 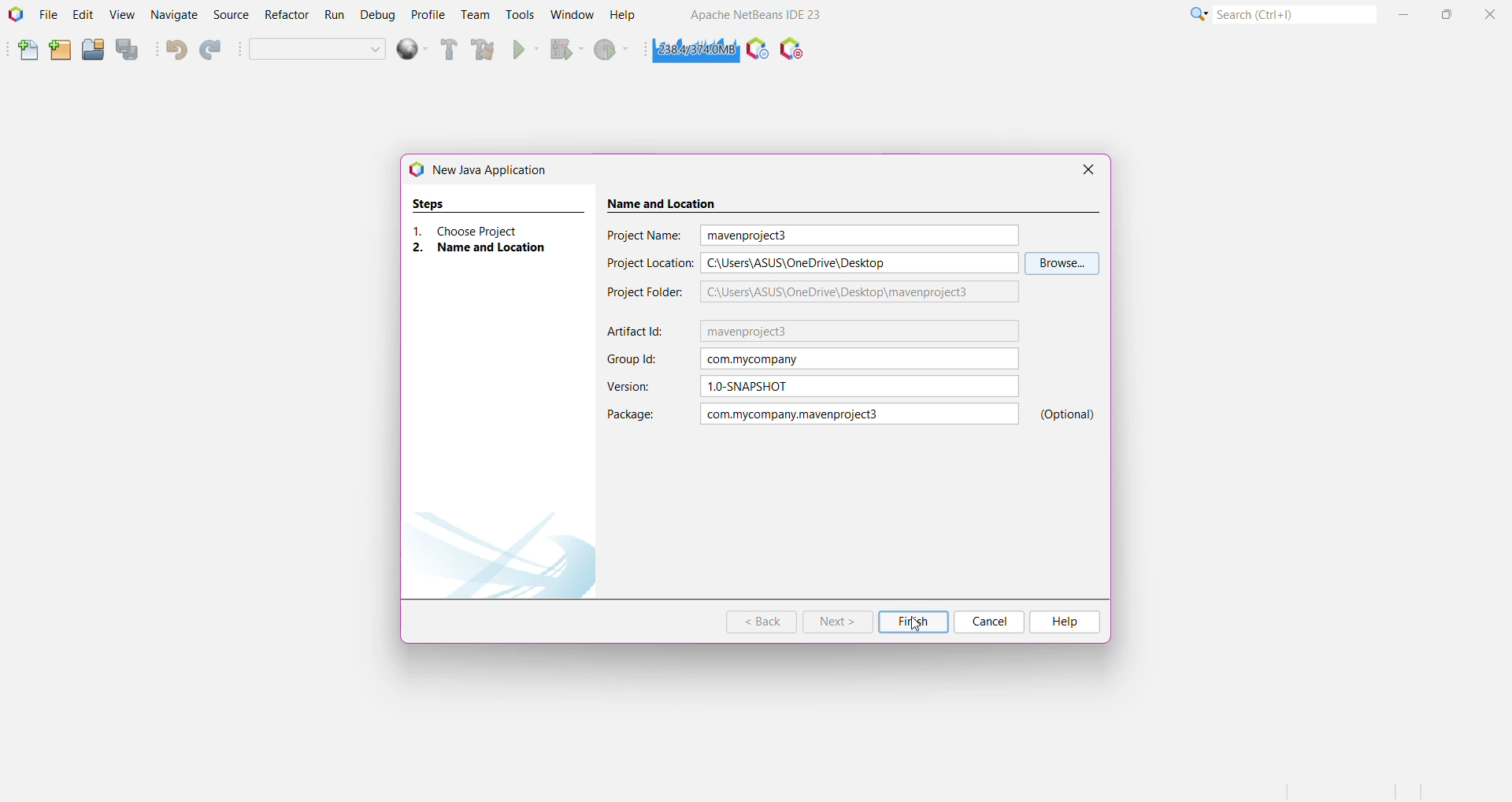 I want to click on Artifact Id (Default), so click(x=860, y=332).